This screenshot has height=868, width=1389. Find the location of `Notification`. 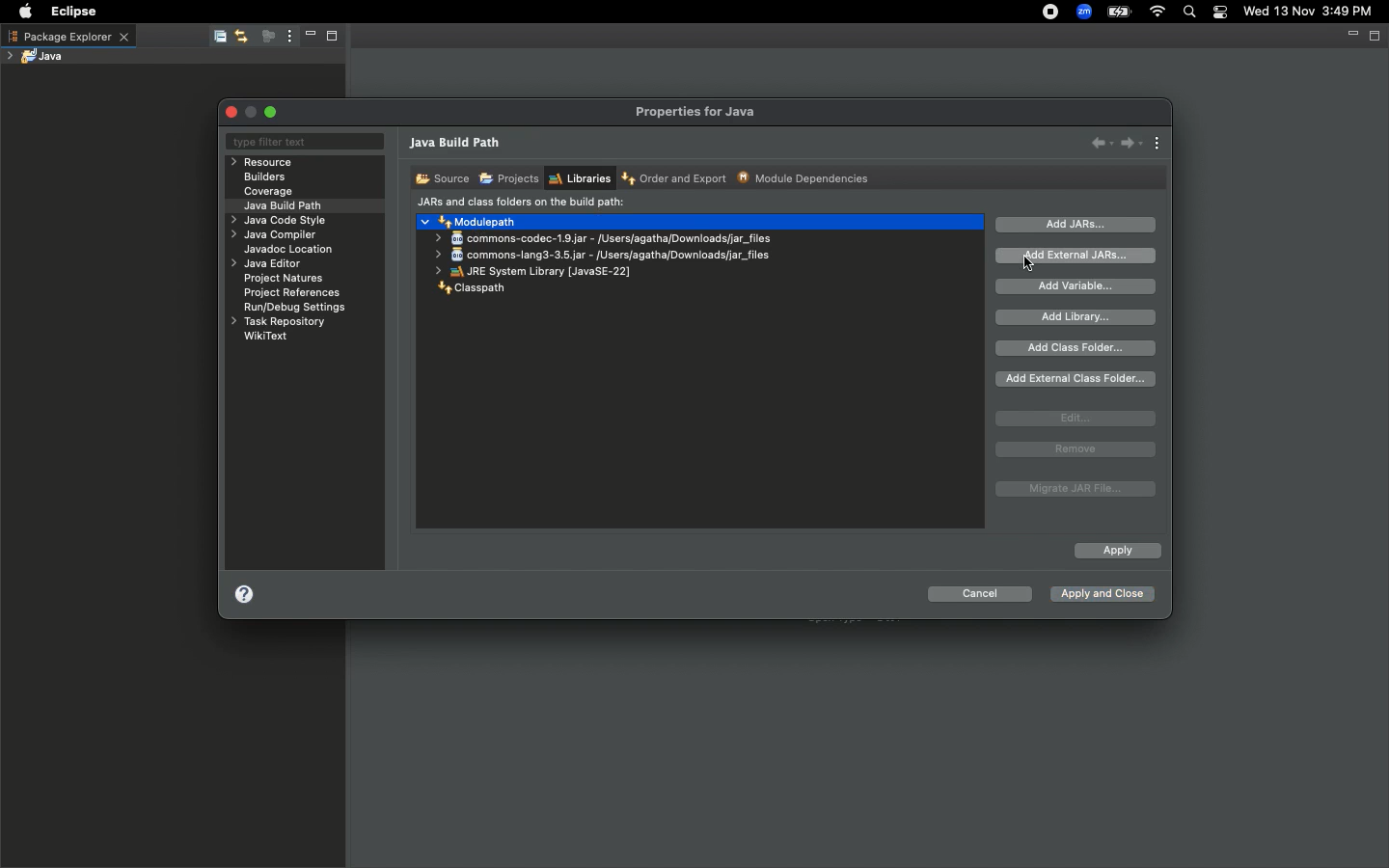

Notification is located at coordinates (1222, 13).